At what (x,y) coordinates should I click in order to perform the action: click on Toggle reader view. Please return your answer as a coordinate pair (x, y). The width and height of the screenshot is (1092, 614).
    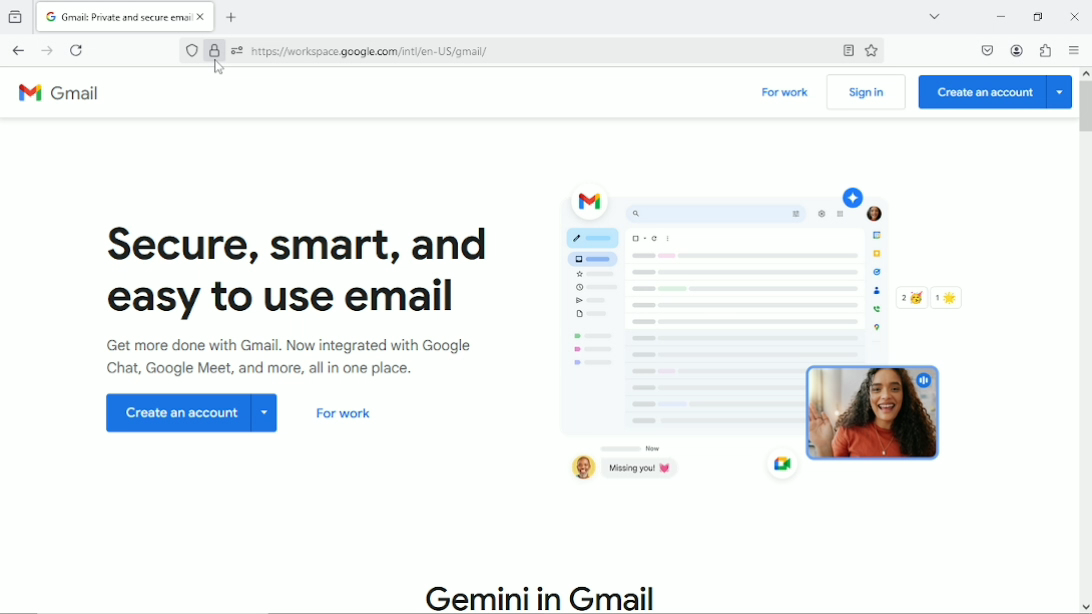
    Looking at the image, I should click on (847, 49).